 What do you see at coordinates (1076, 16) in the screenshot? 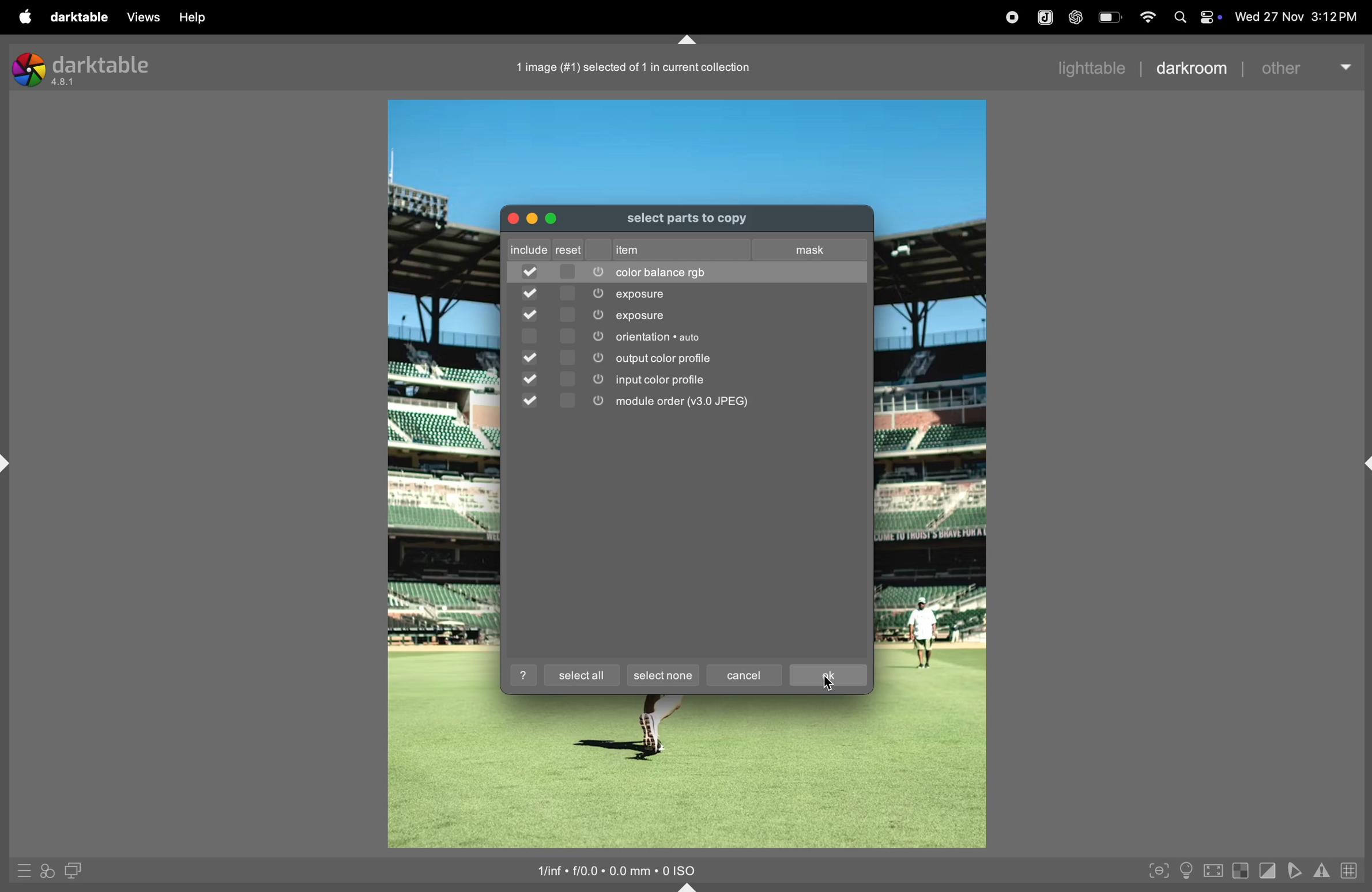
I see `chatgpt` at bounding box center [1076, 16].